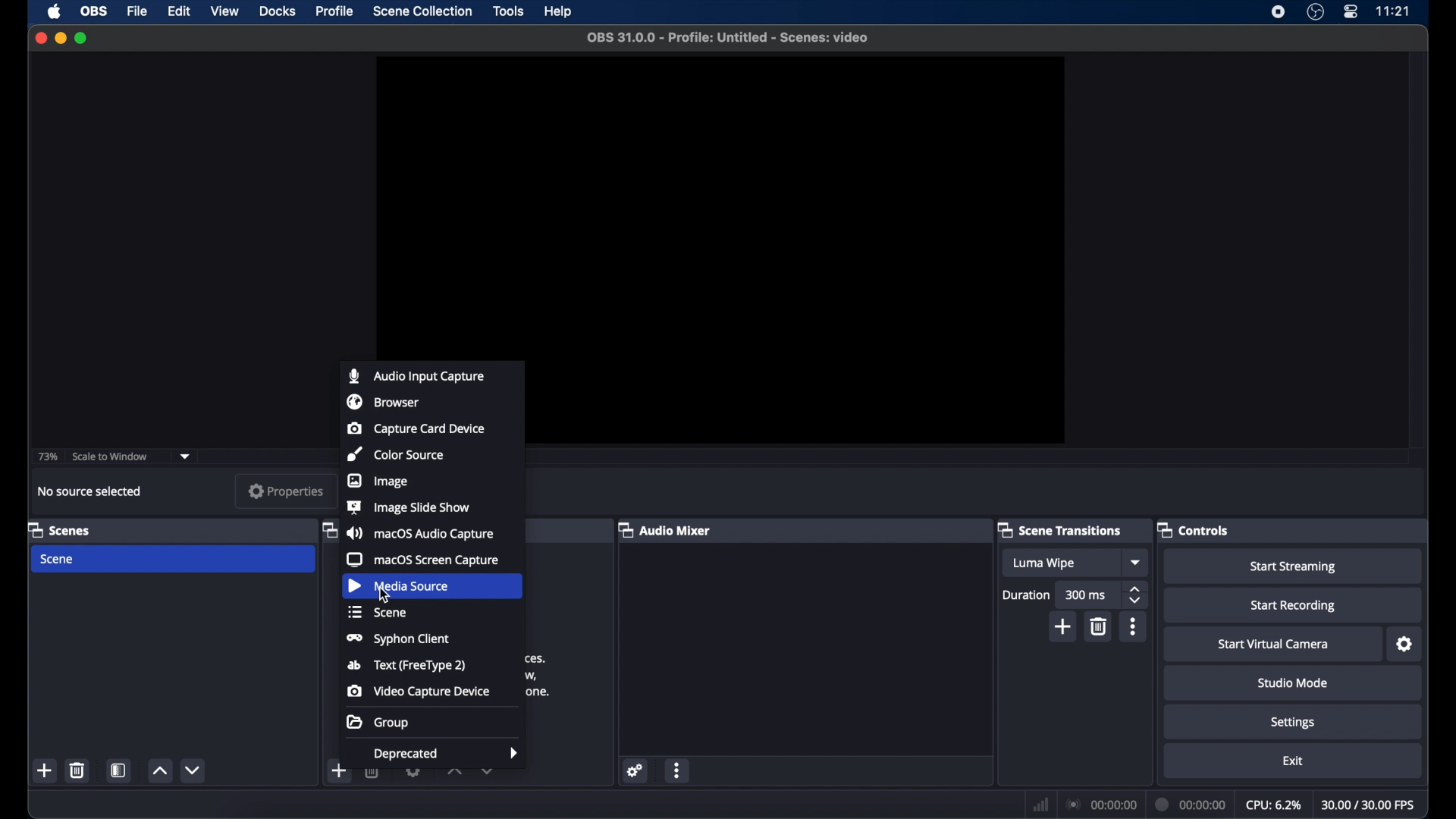 The image size is (1456, 819). I want to click on text, so click(406, 667).